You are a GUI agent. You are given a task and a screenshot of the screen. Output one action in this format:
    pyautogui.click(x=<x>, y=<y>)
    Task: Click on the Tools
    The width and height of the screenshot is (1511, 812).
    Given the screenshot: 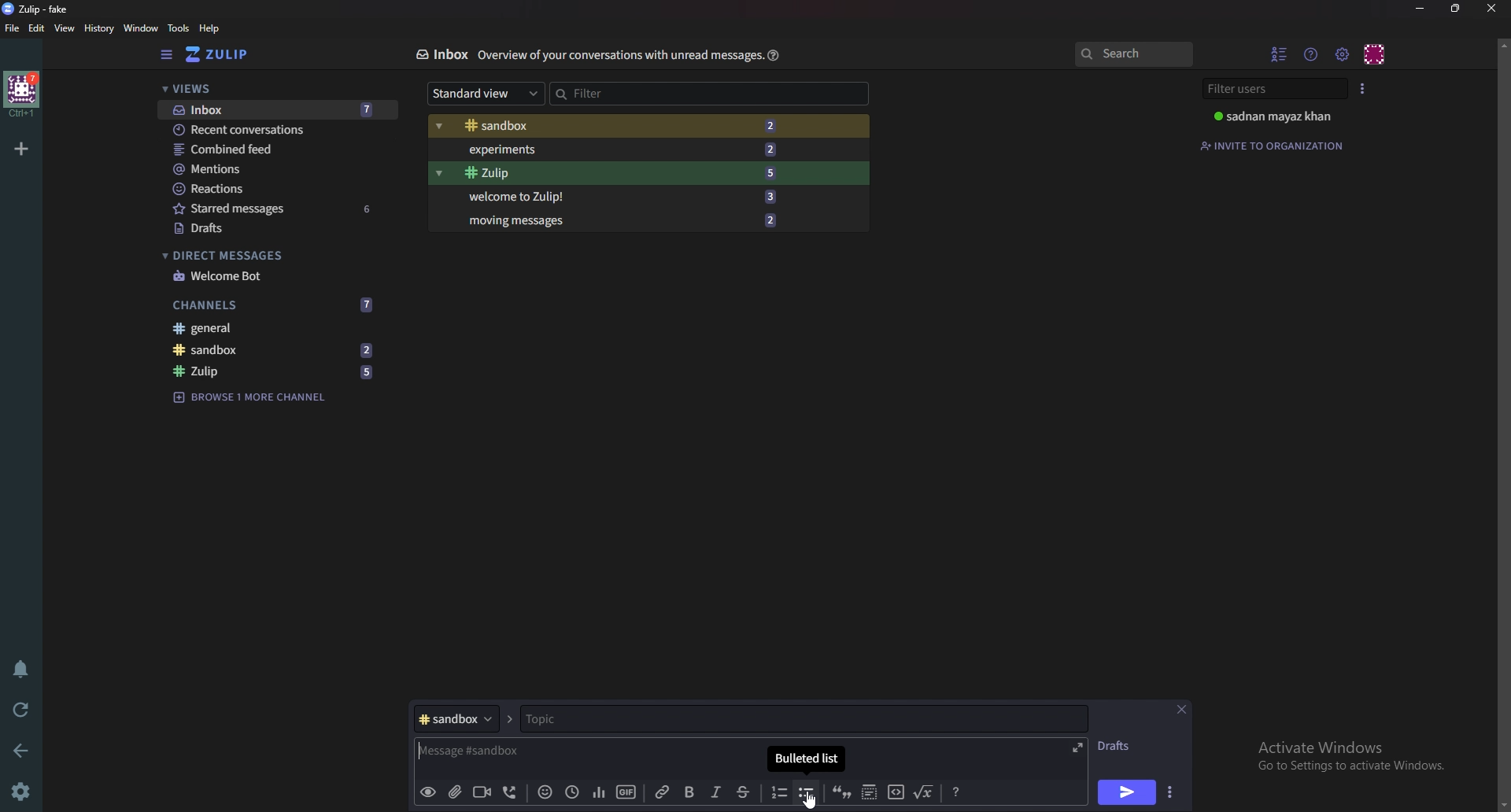 What is the action you would take?
    pyautogui.click(x=179, y=28)
    